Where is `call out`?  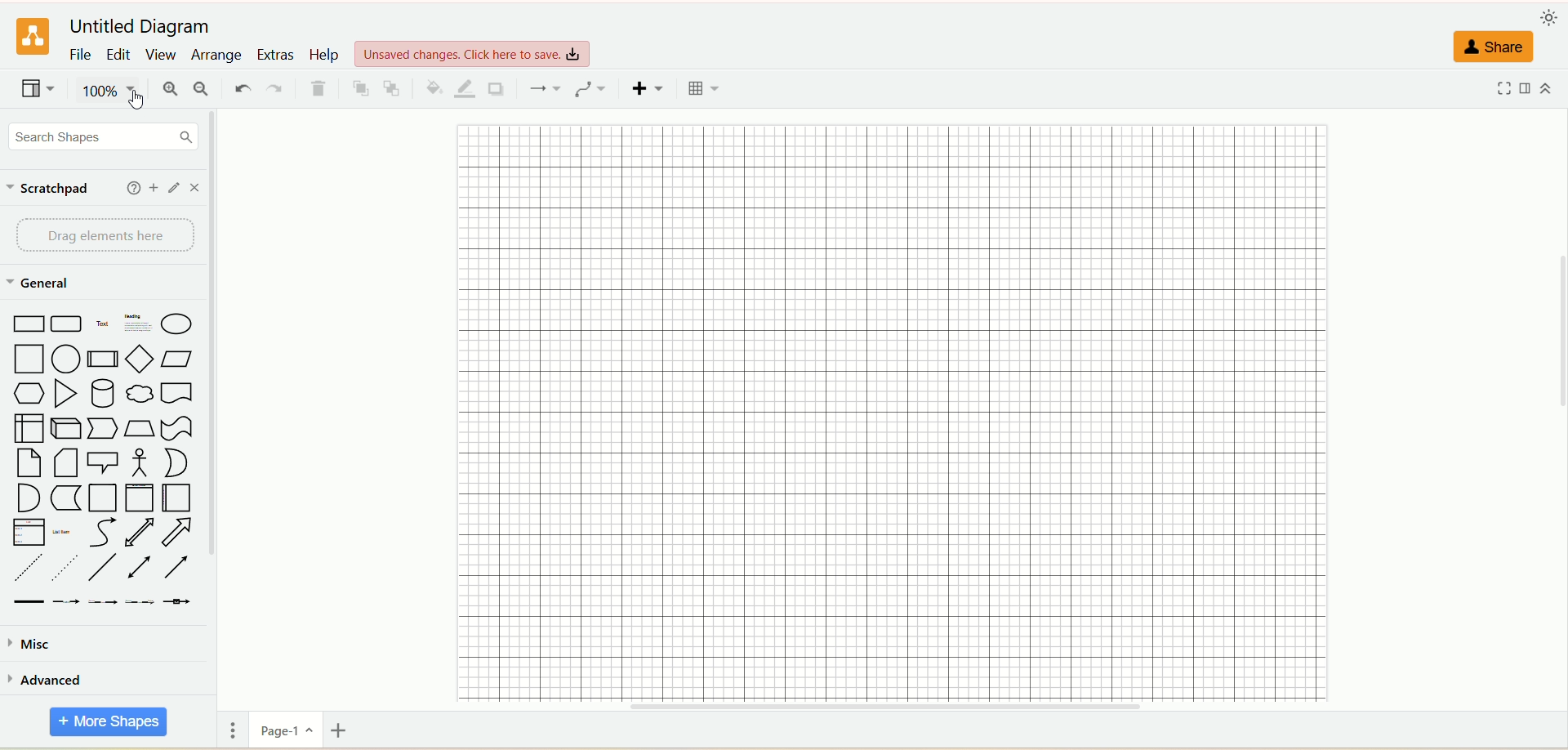 call out is located at coordinates (102, 461).